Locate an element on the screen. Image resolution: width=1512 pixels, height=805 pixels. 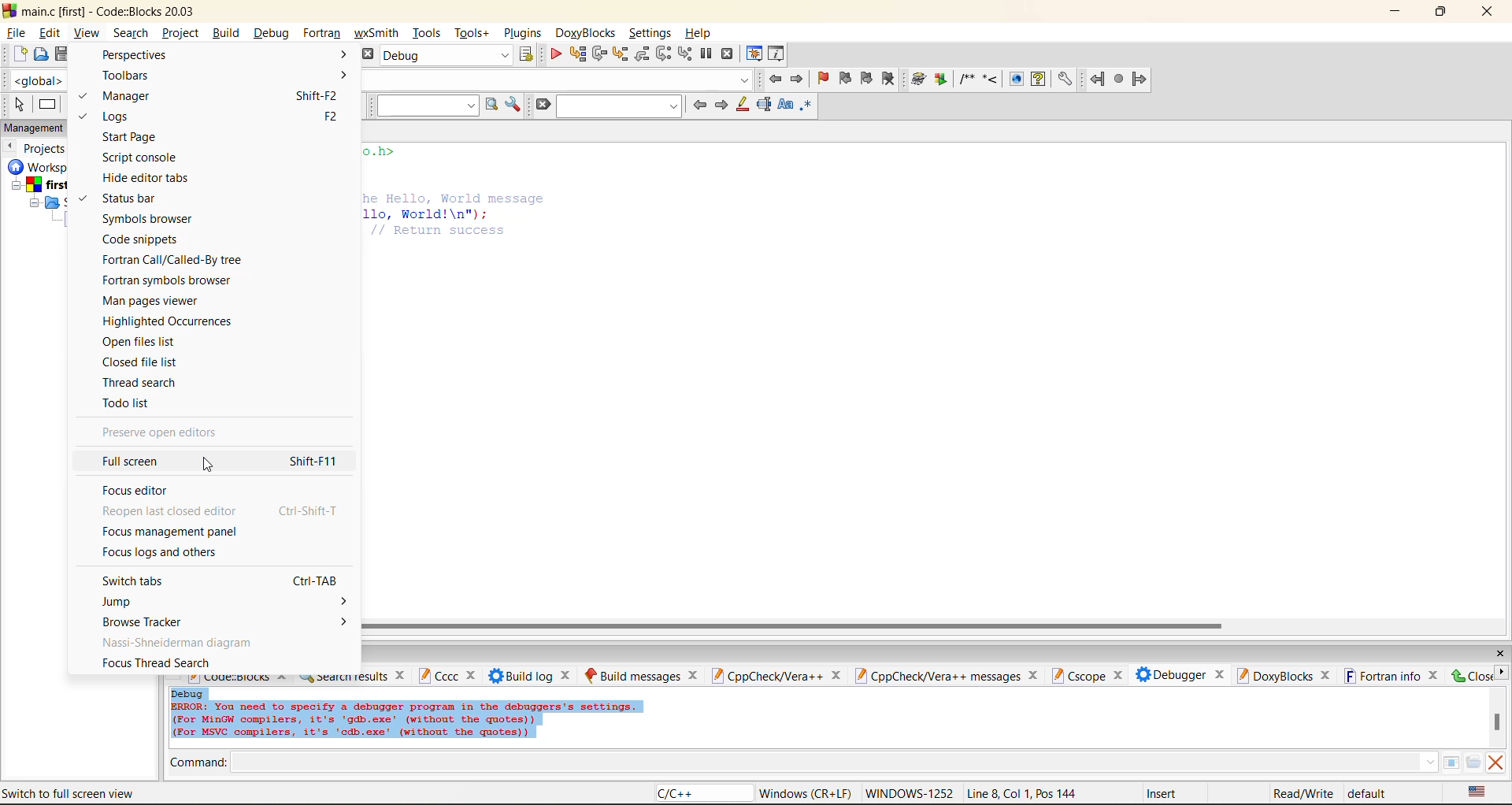
Last jump is located at coordinates (1119, 80).